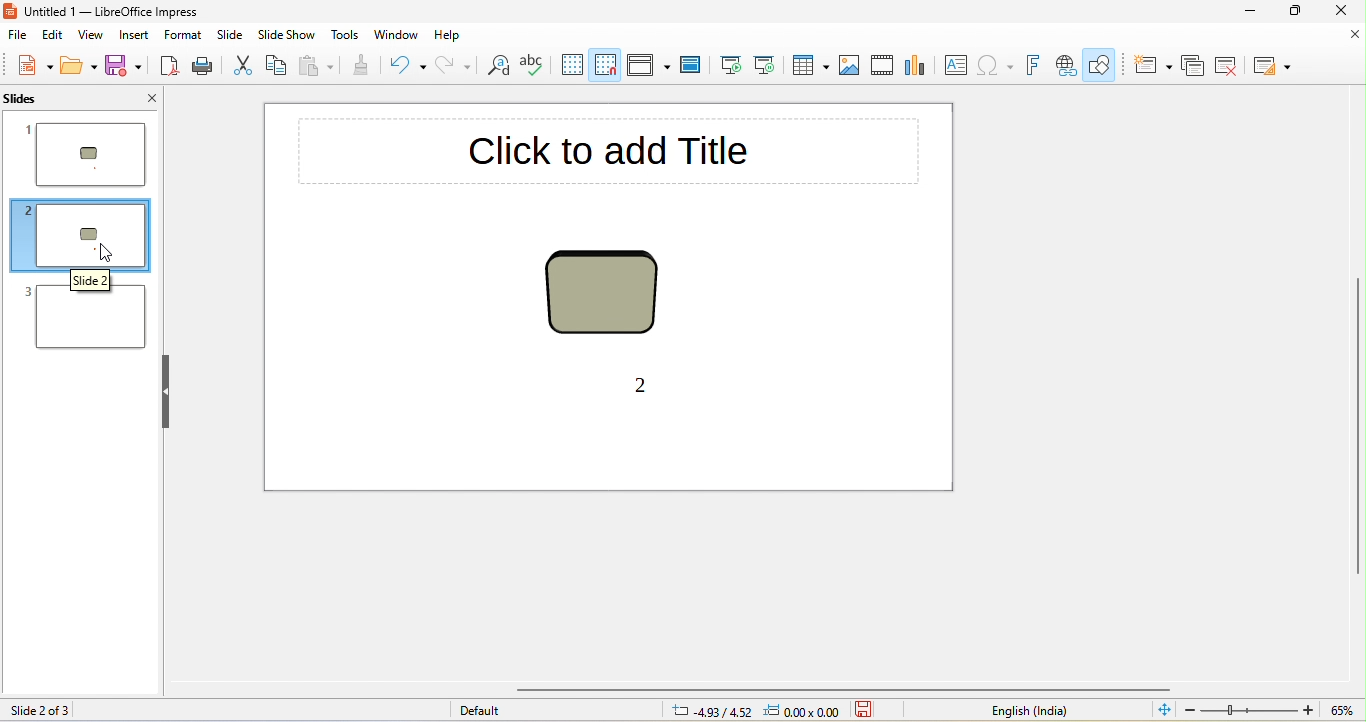 This screenshot has height=722, width=1366. I want to click on 2, so click(639, 387).